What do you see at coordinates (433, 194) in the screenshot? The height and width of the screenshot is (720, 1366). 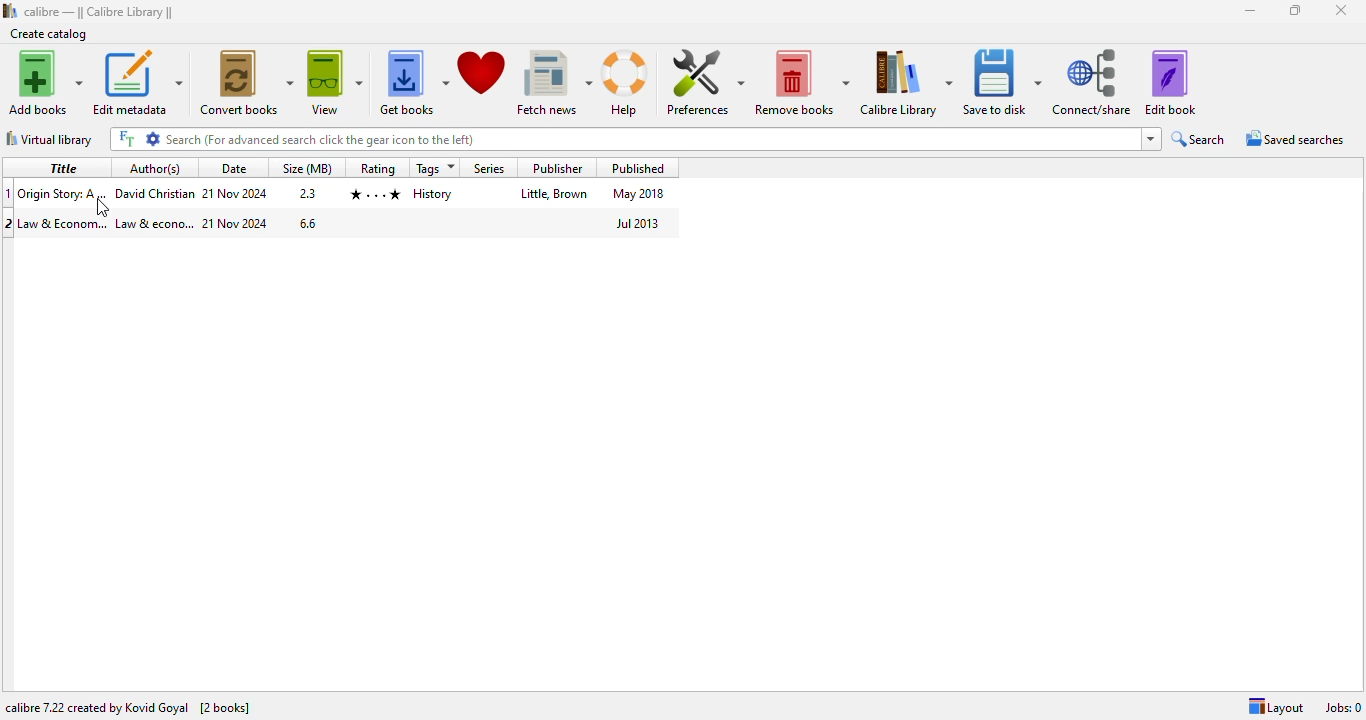 I see `tag` at bounding box center [433, 194].